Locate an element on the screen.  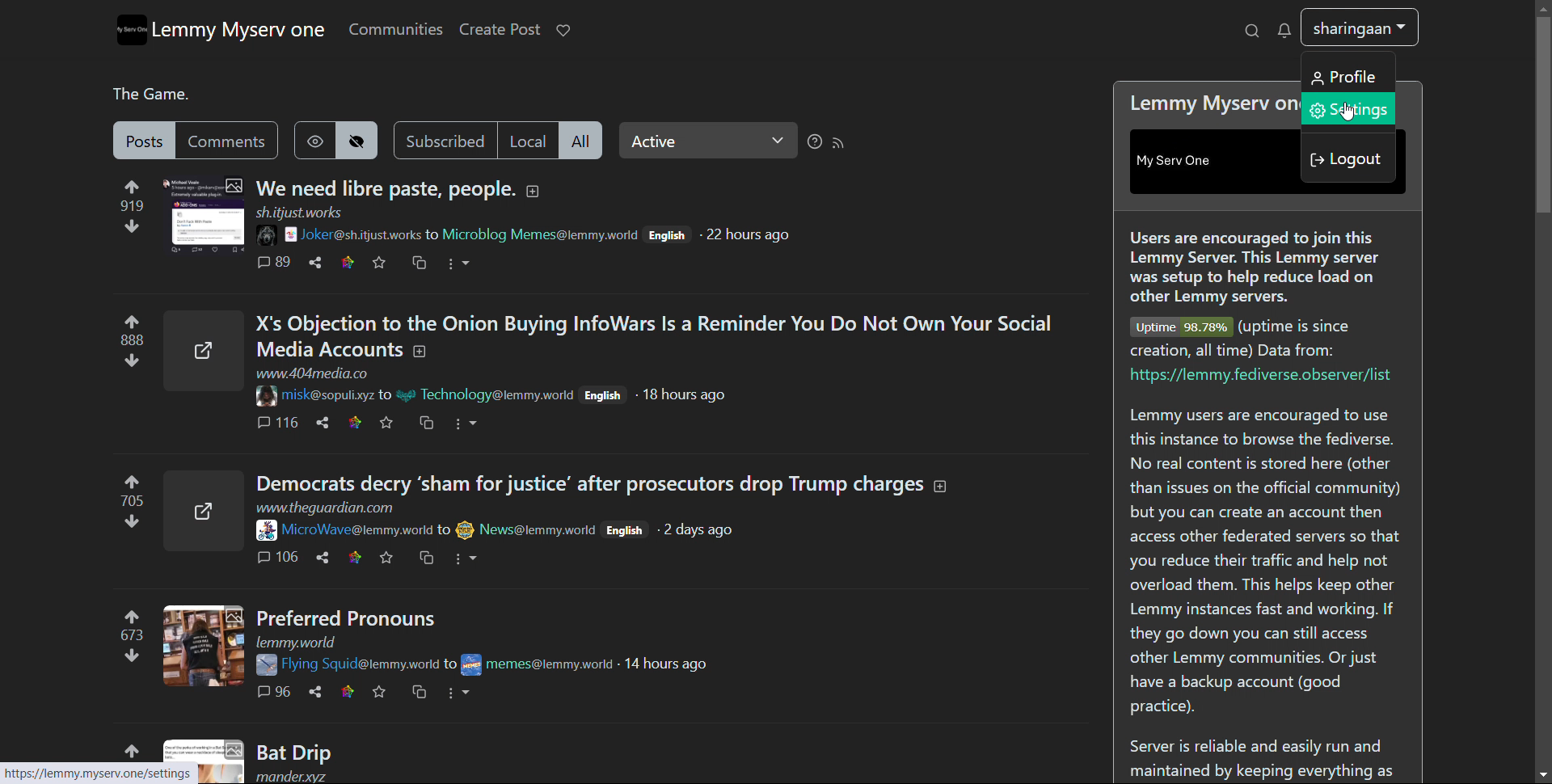
search is located at coordinates (1253, 30).